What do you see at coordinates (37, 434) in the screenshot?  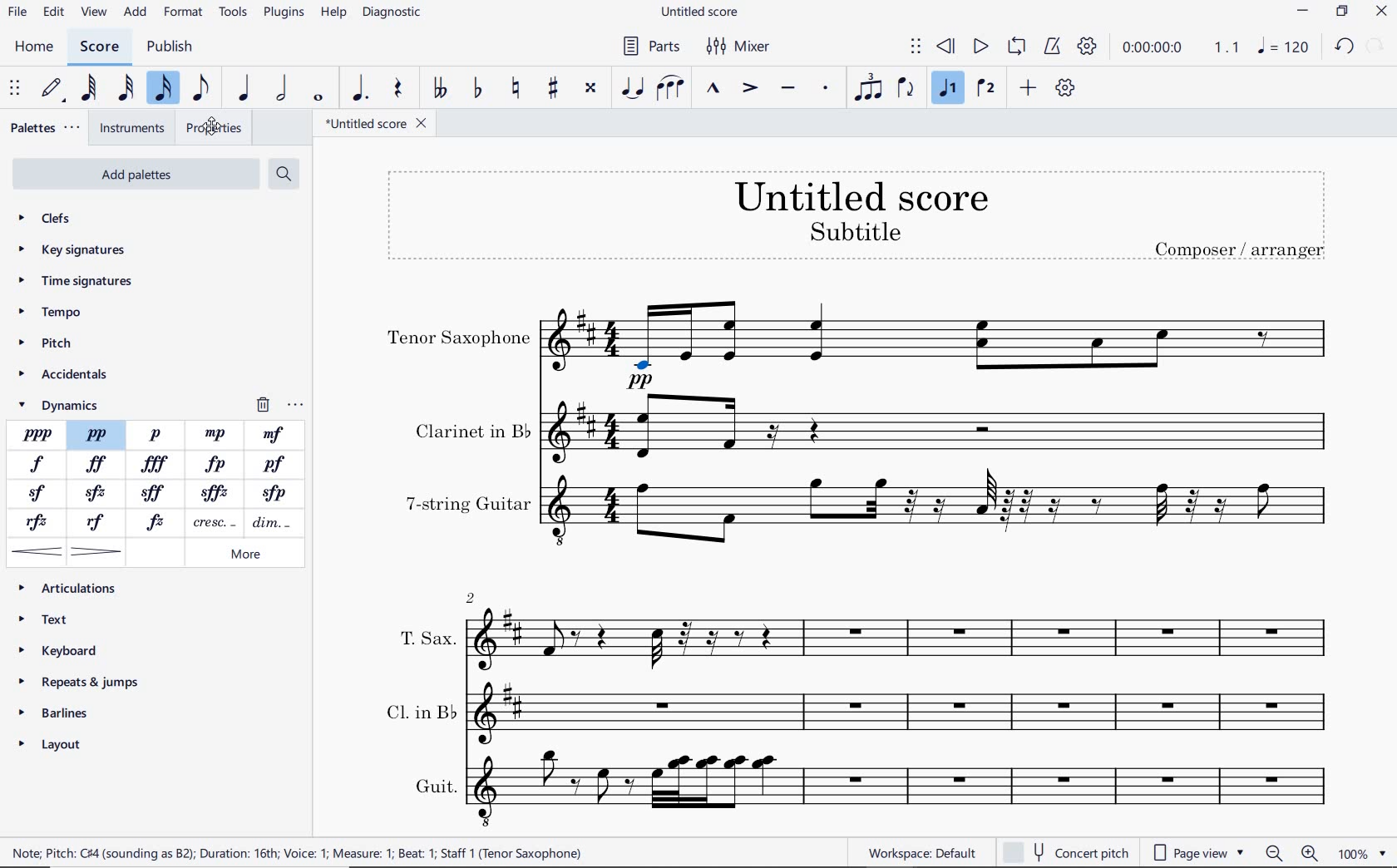 I see `PPP (pianississimo)` at bounding box center [37, 434].